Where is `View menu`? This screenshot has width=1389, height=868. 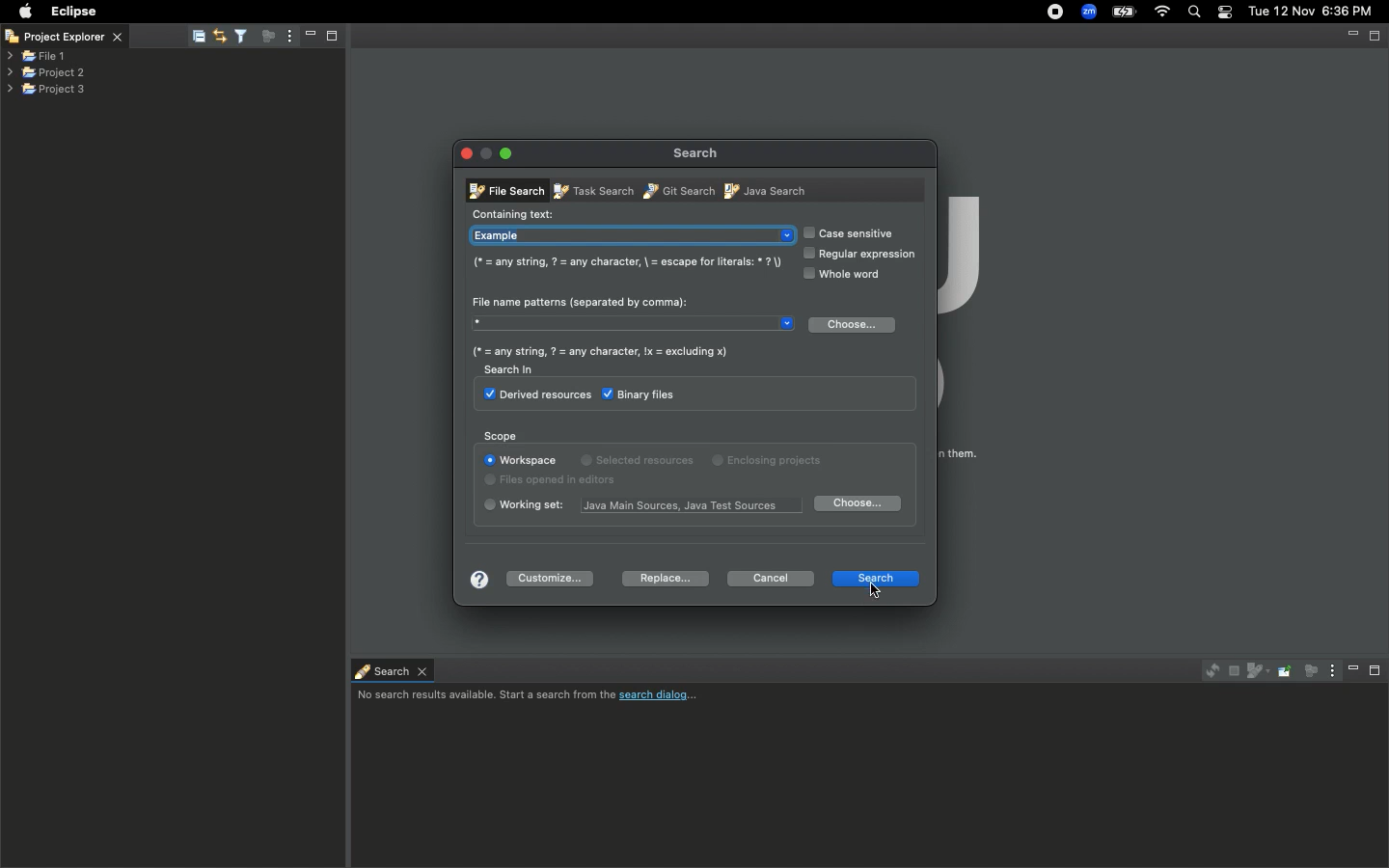 View menu is located at coordinates (1326, 671).